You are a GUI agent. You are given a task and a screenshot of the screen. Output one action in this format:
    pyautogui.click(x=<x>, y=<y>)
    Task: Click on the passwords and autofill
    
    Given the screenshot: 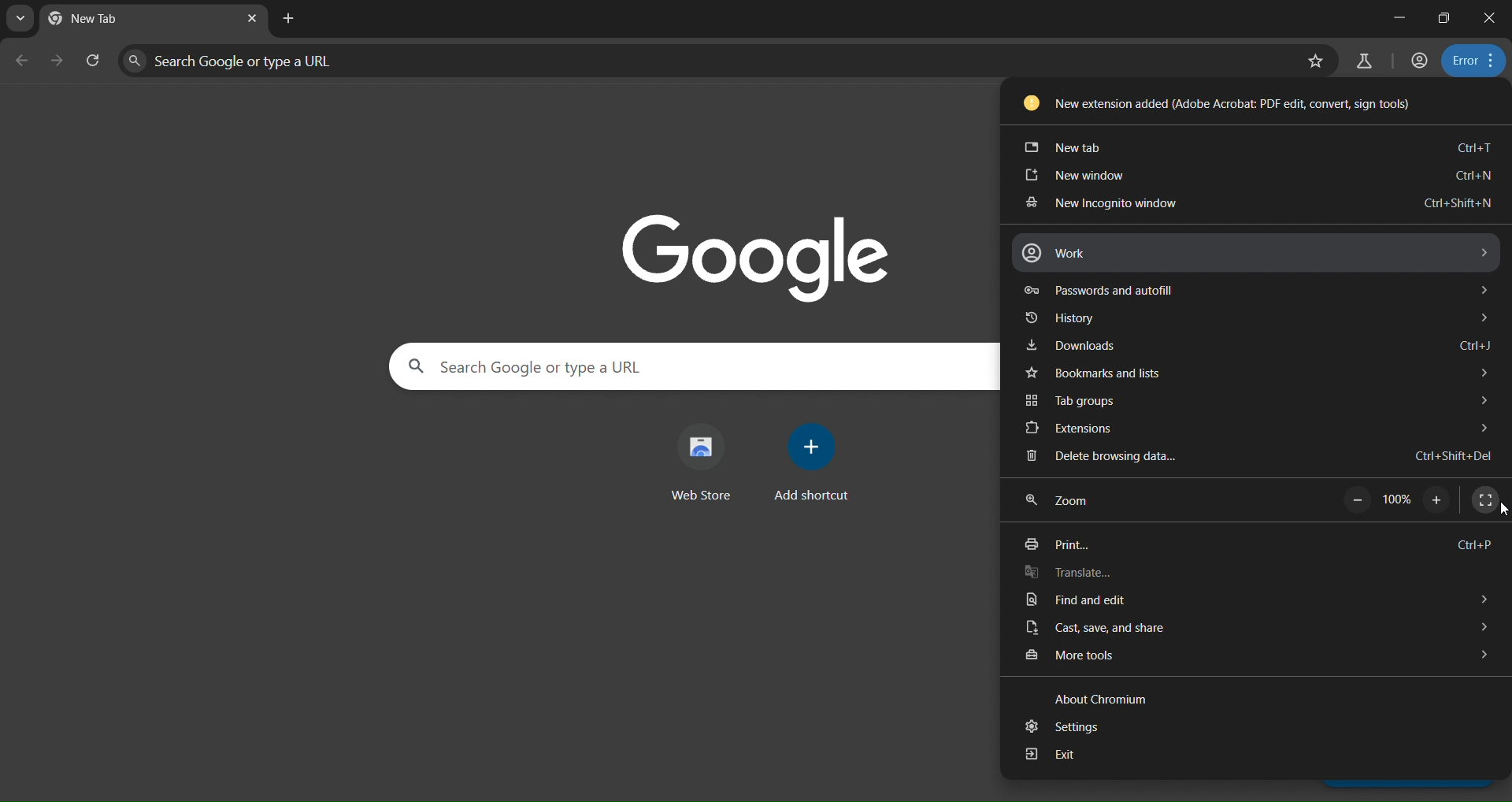 What is the action you would take?
    pyautogui.click(x=1261, y=288)
    